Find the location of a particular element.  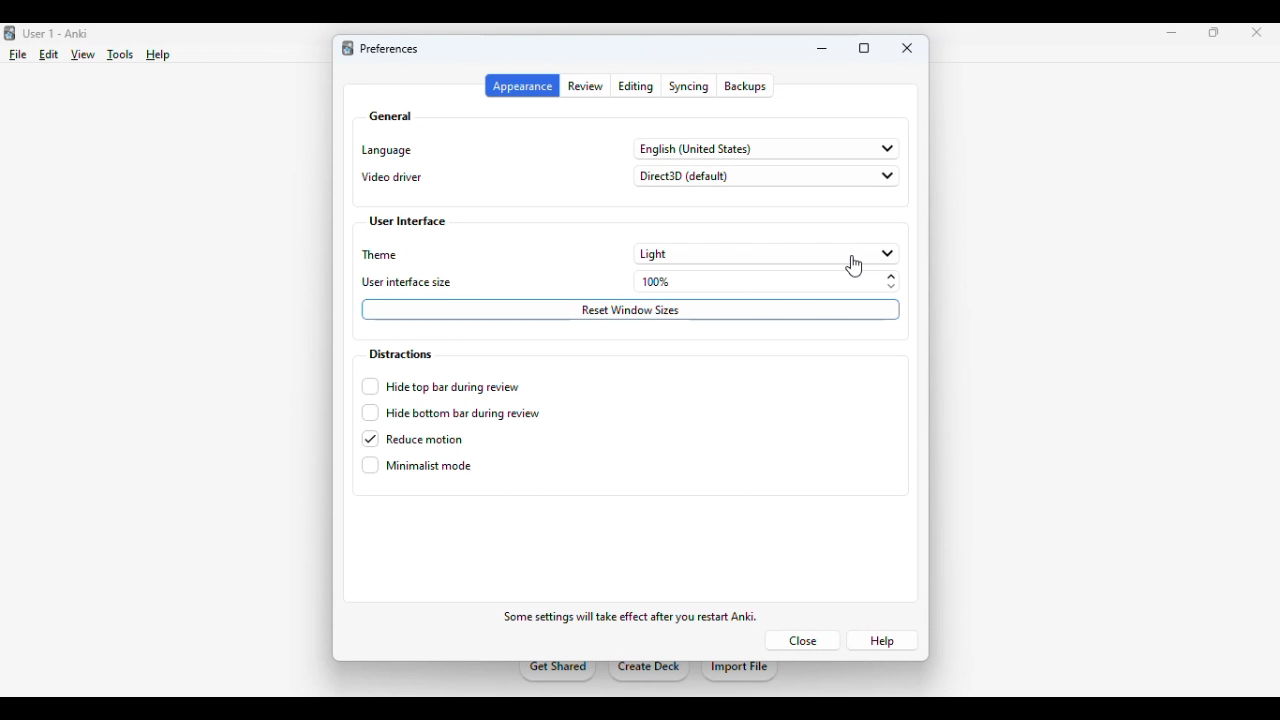

theme is located at coordinates (382, 255).